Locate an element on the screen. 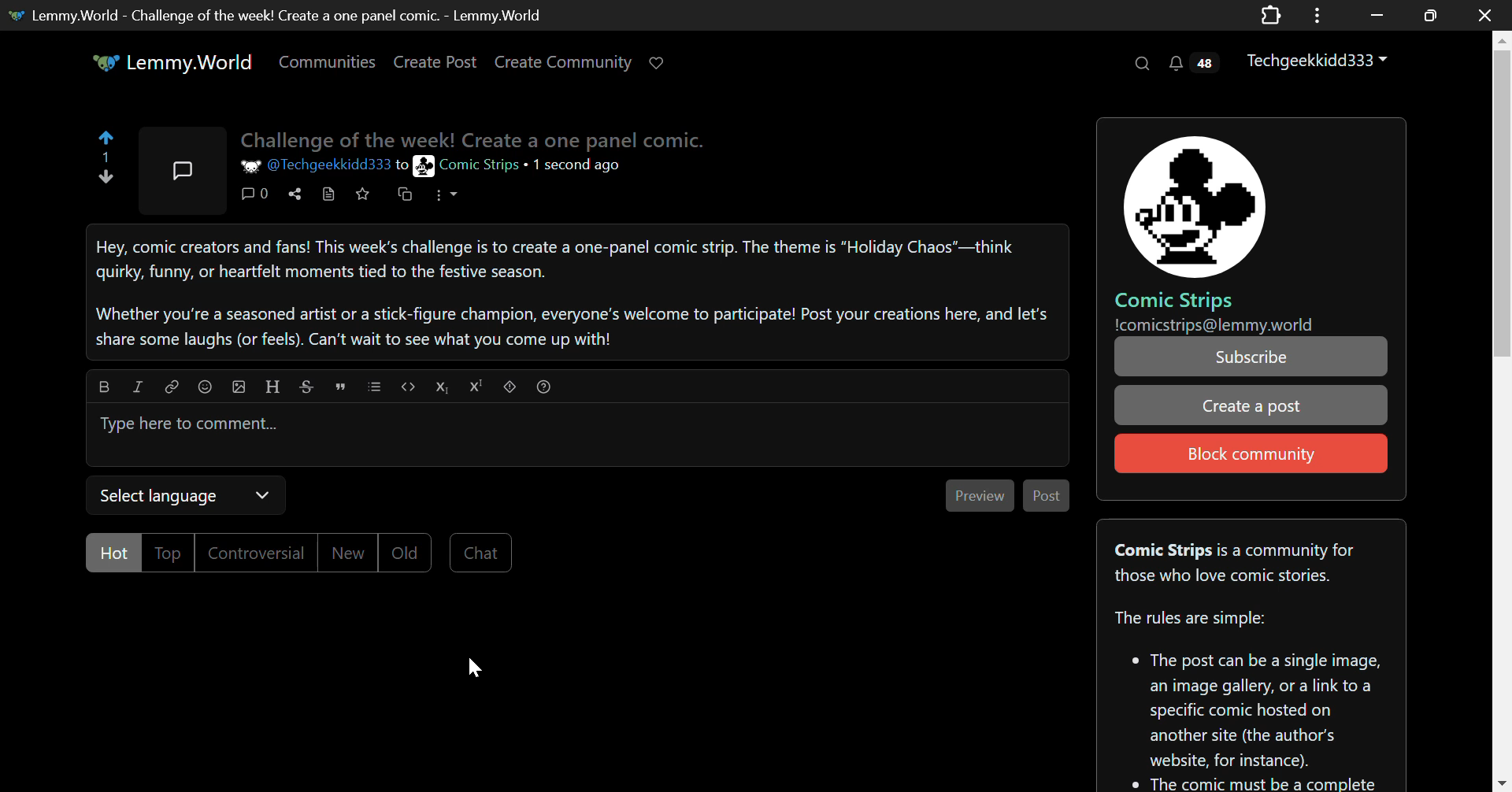 This screenshot has width=1512, height=792. Share is located at coordinates (294, 194).